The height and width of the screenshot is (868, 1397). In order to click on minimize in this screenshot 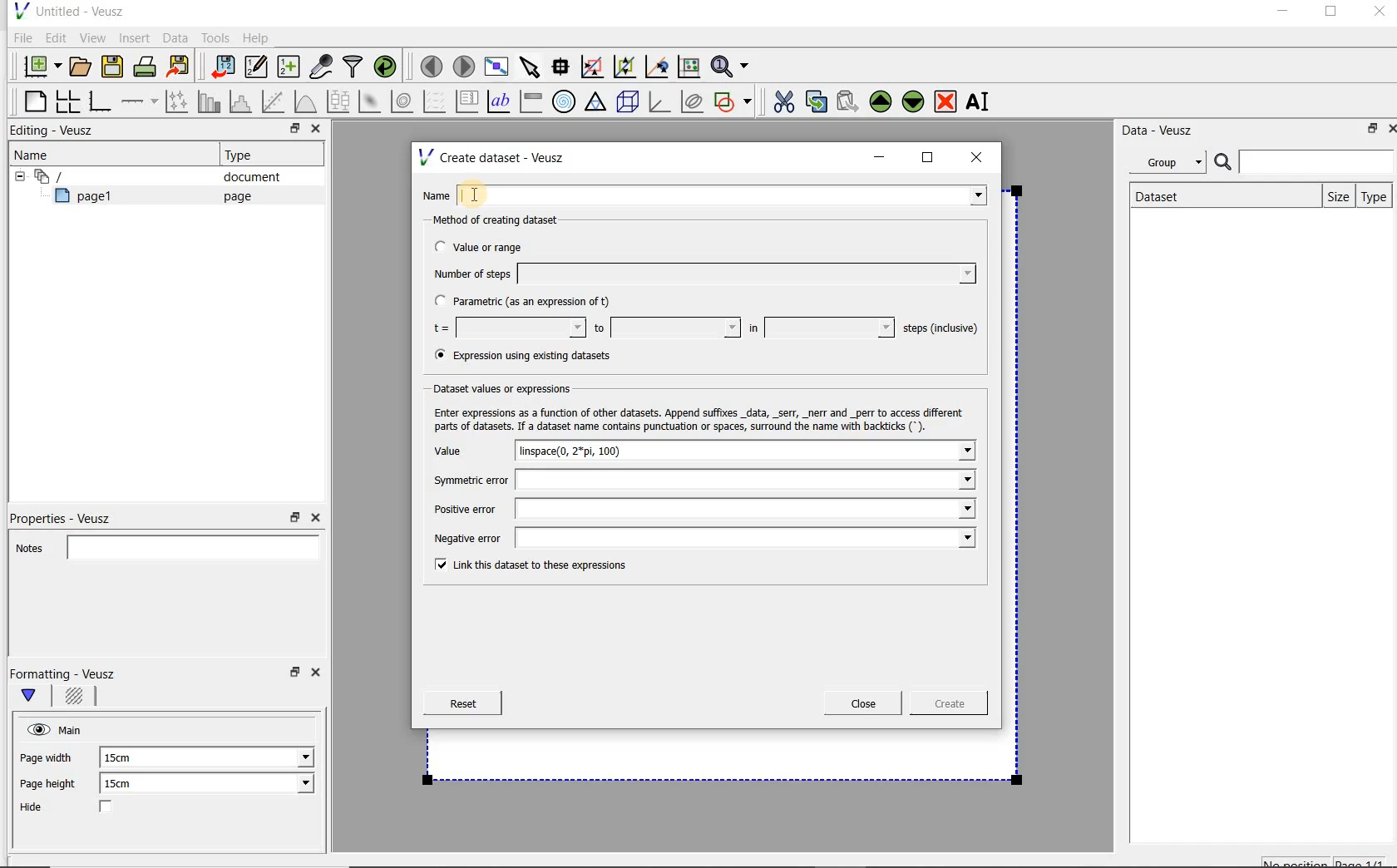, I will do `click(1281, 13)`.